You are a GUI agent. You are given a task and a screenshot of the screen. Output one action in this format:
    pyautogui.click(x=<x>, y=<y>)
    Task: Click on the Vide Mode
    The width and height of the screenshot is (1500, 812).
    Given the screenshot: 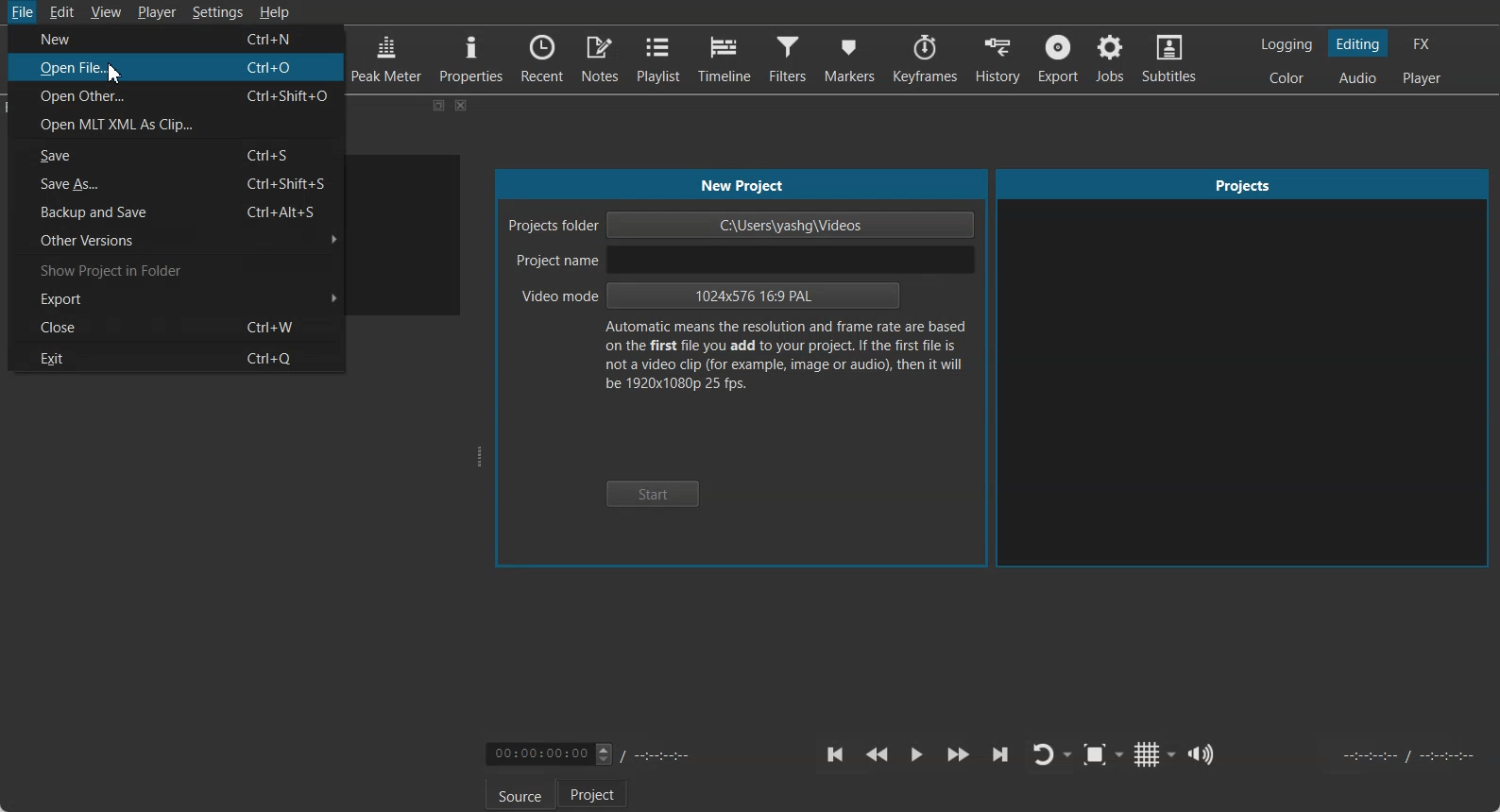 What is the action you would take?
    pyautogui.click(x=710, y=297)
    